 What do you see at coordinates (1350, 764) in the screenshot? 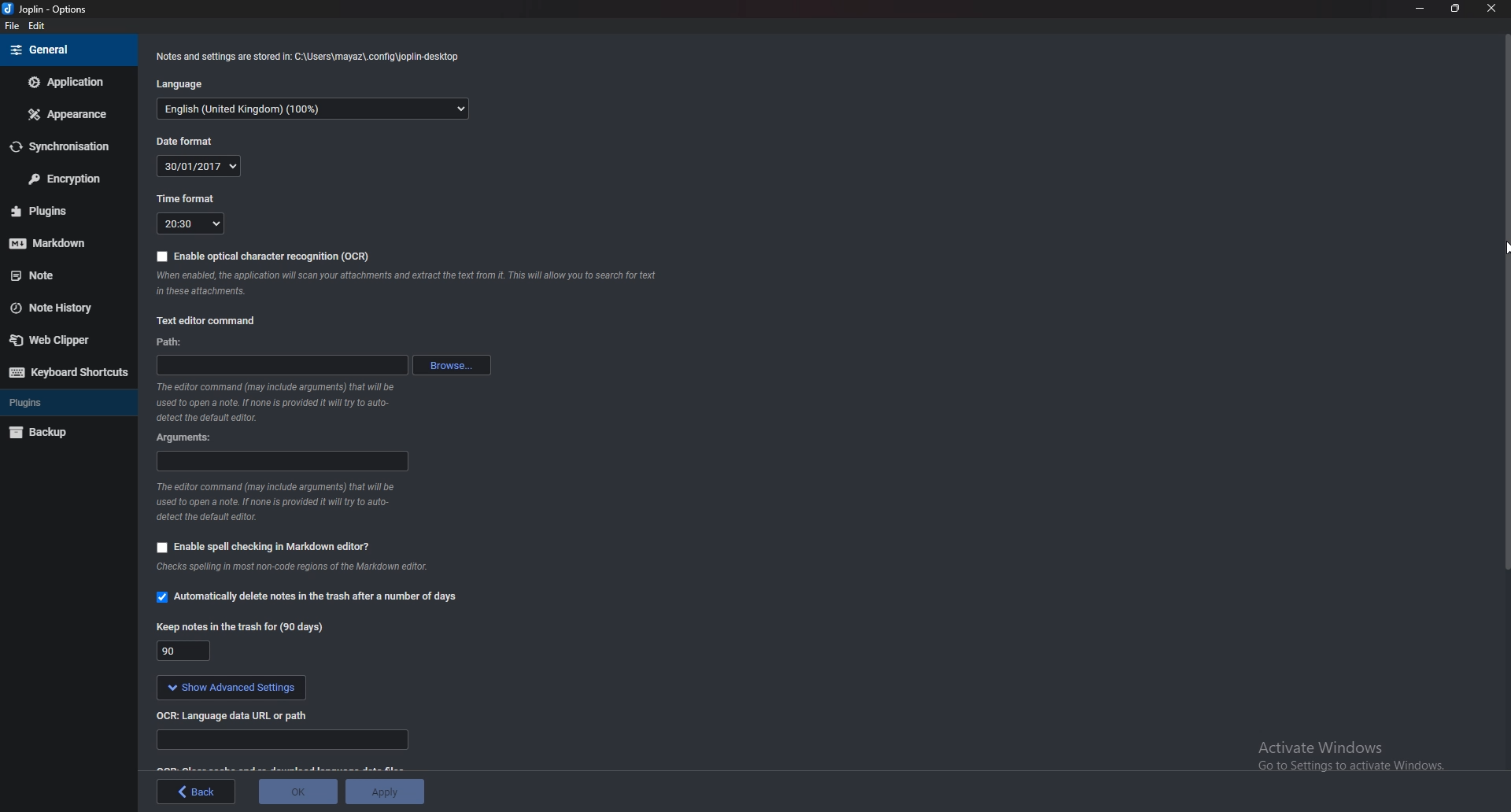
I see `activate windows` at bounding box center [1350, 764].